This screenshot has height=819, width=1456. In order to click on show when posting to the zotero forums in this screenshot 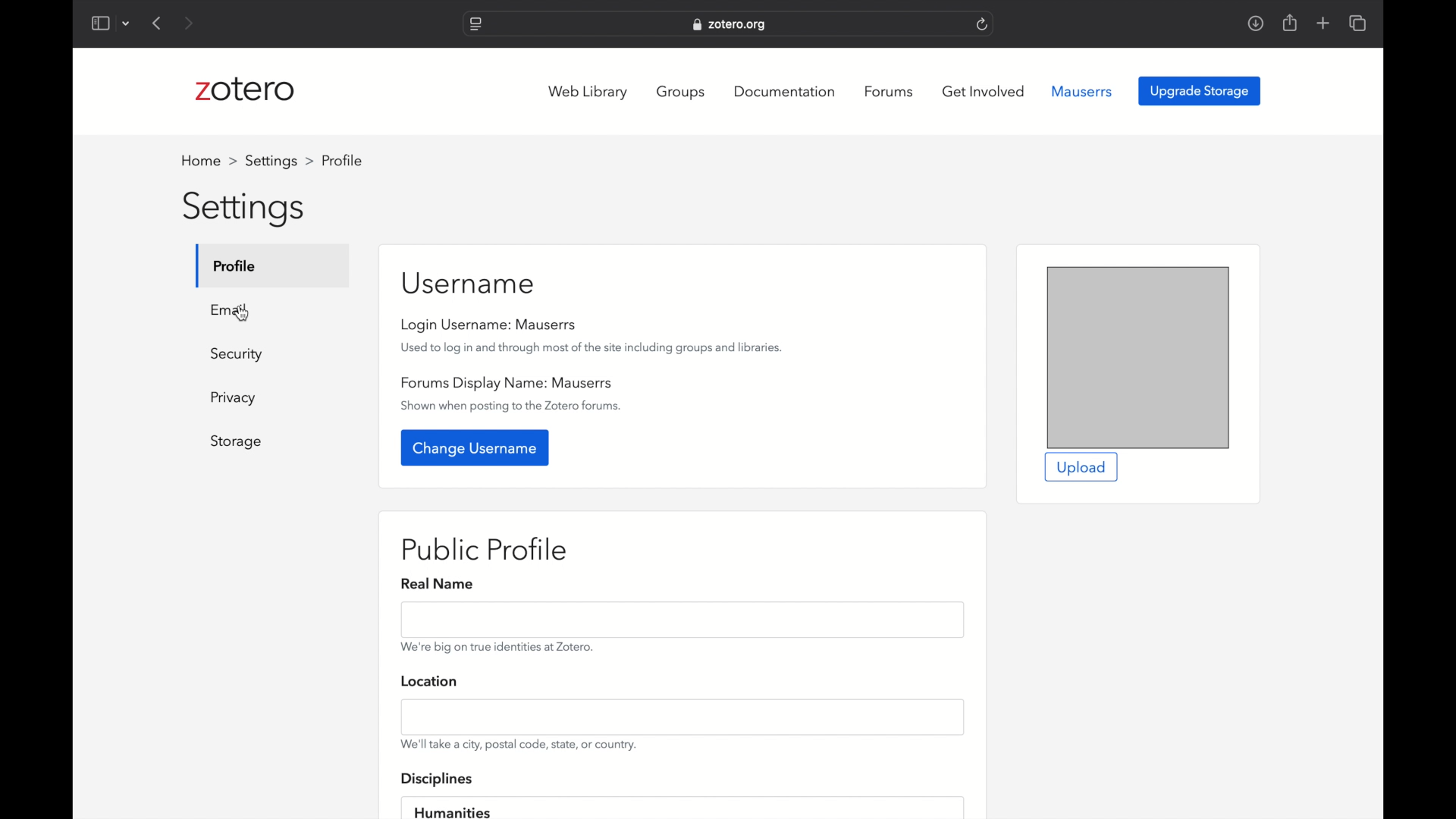, I will do `click(513, 406)`.